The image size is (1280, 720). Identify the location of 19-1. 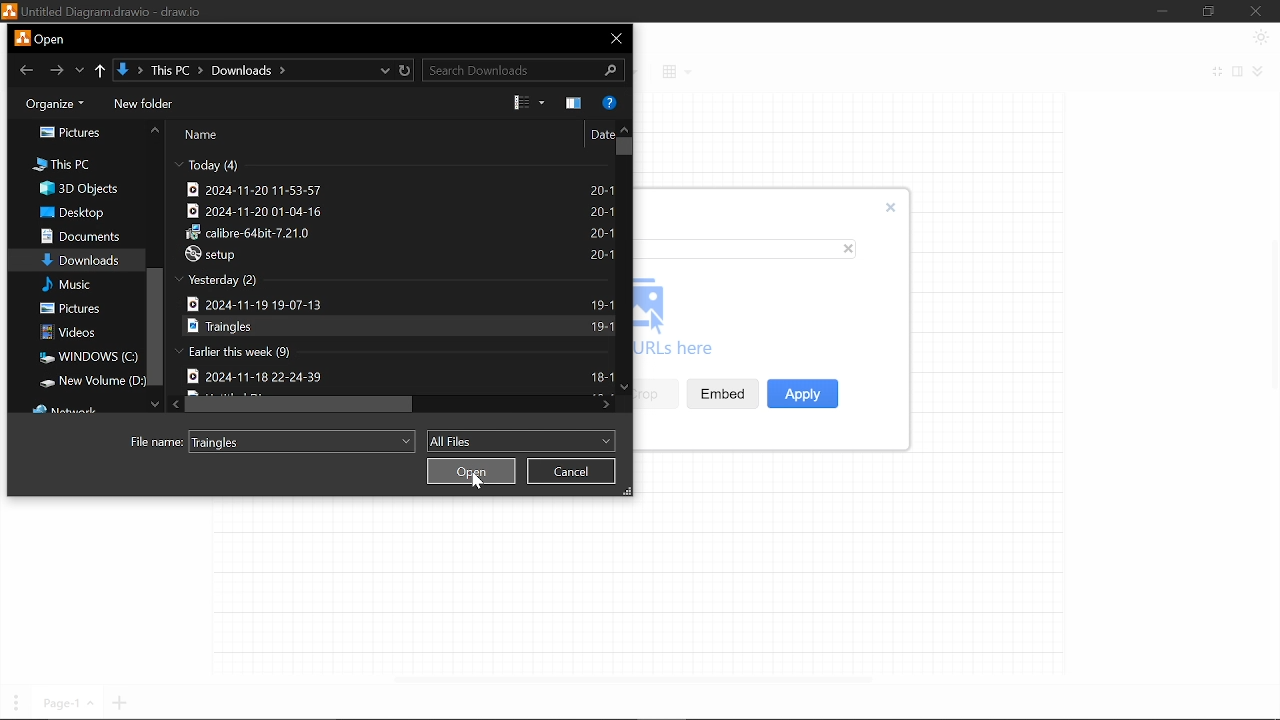
(600, 326).